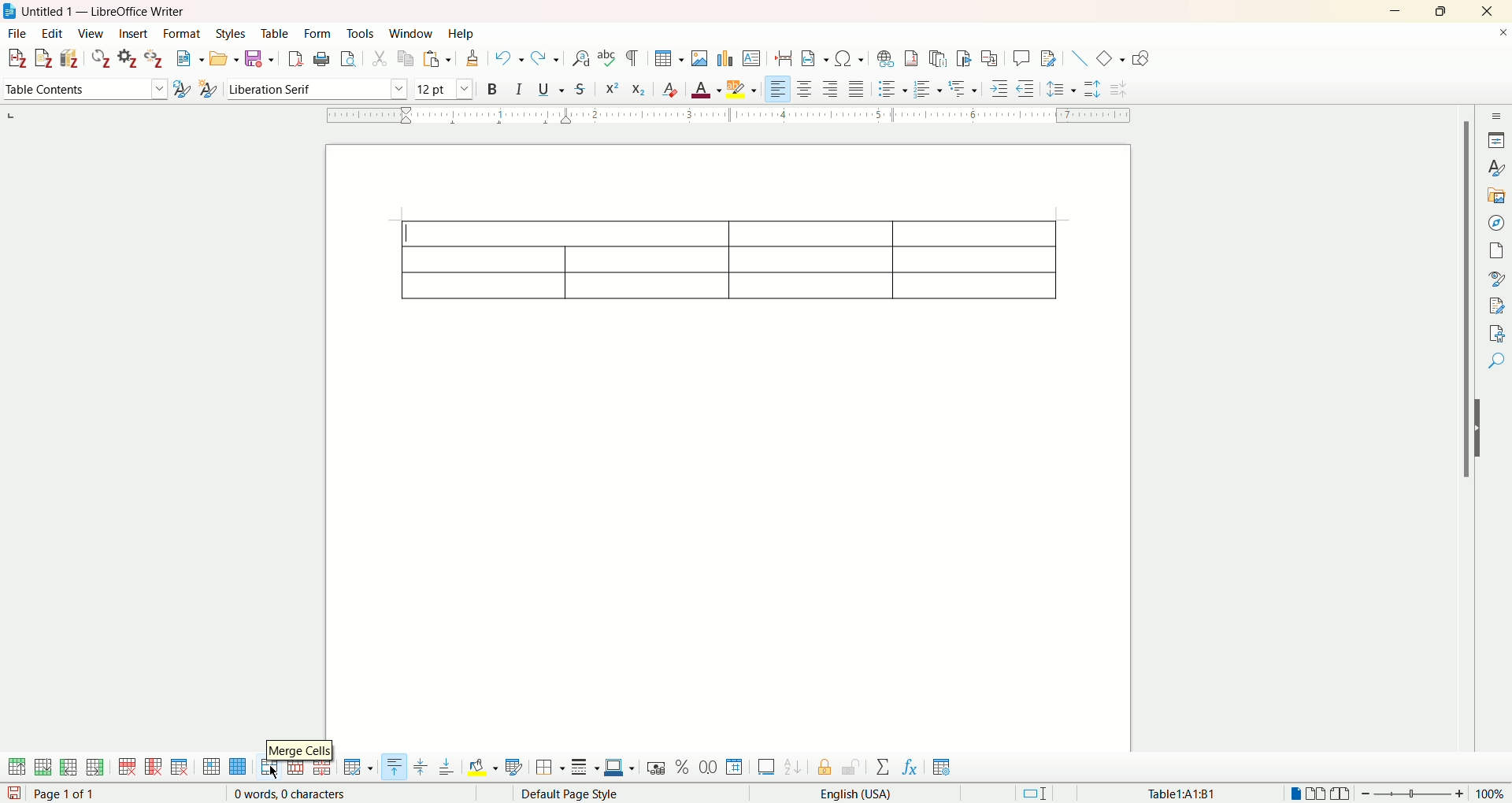 This screenshot has height=803, width=1512. I want to click on delete column, so click(155, 768).